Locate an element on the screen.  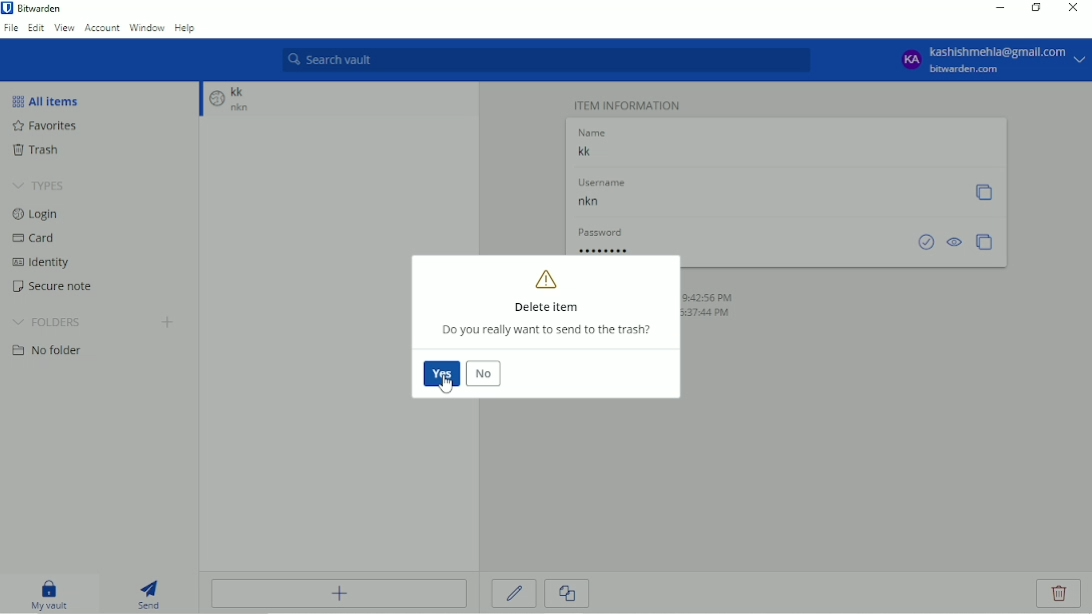
caution logo is located at coordinates (546, 278).